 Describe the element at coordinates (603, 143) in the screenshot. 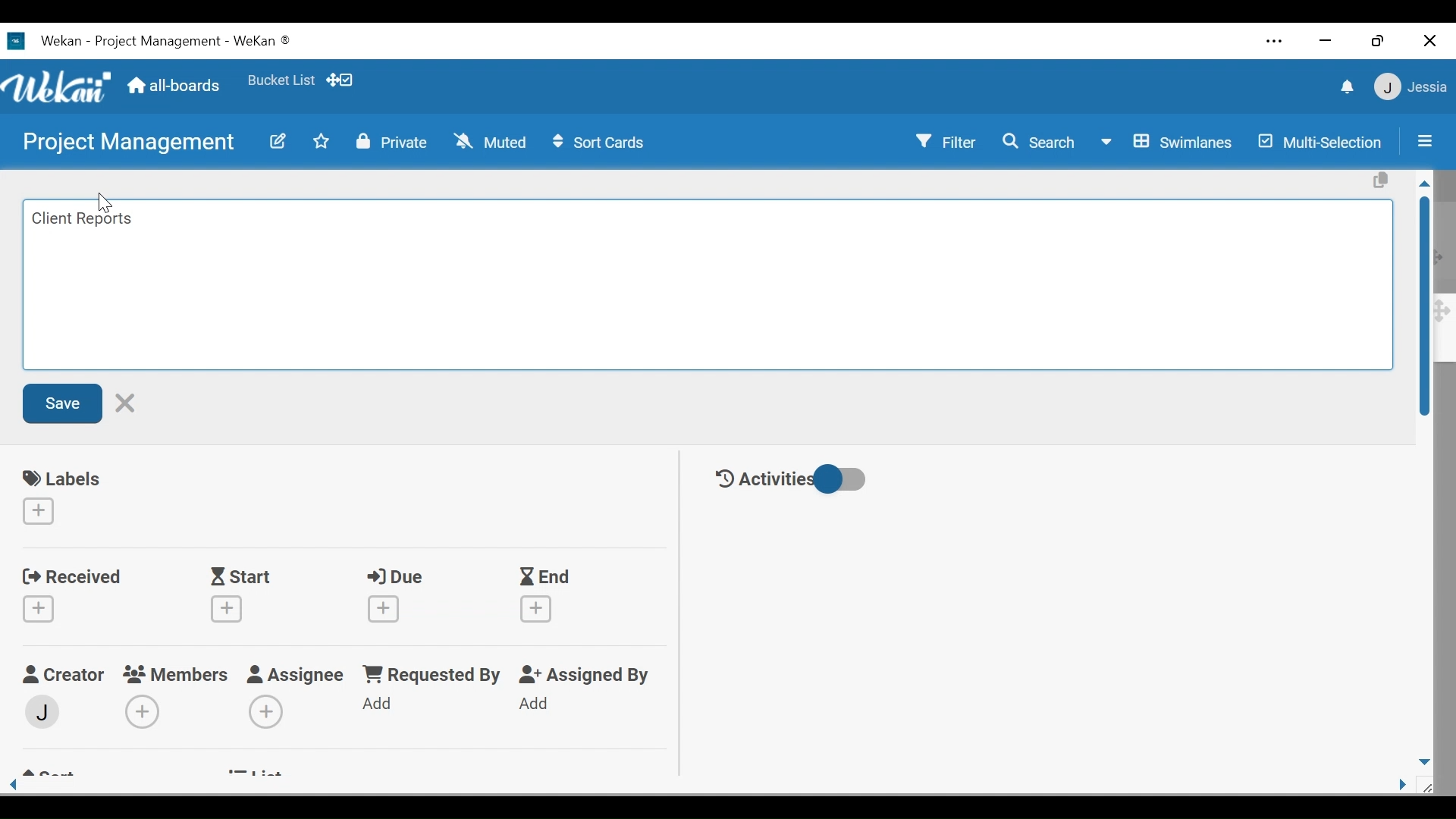

I see `Sort Cards` at that location.